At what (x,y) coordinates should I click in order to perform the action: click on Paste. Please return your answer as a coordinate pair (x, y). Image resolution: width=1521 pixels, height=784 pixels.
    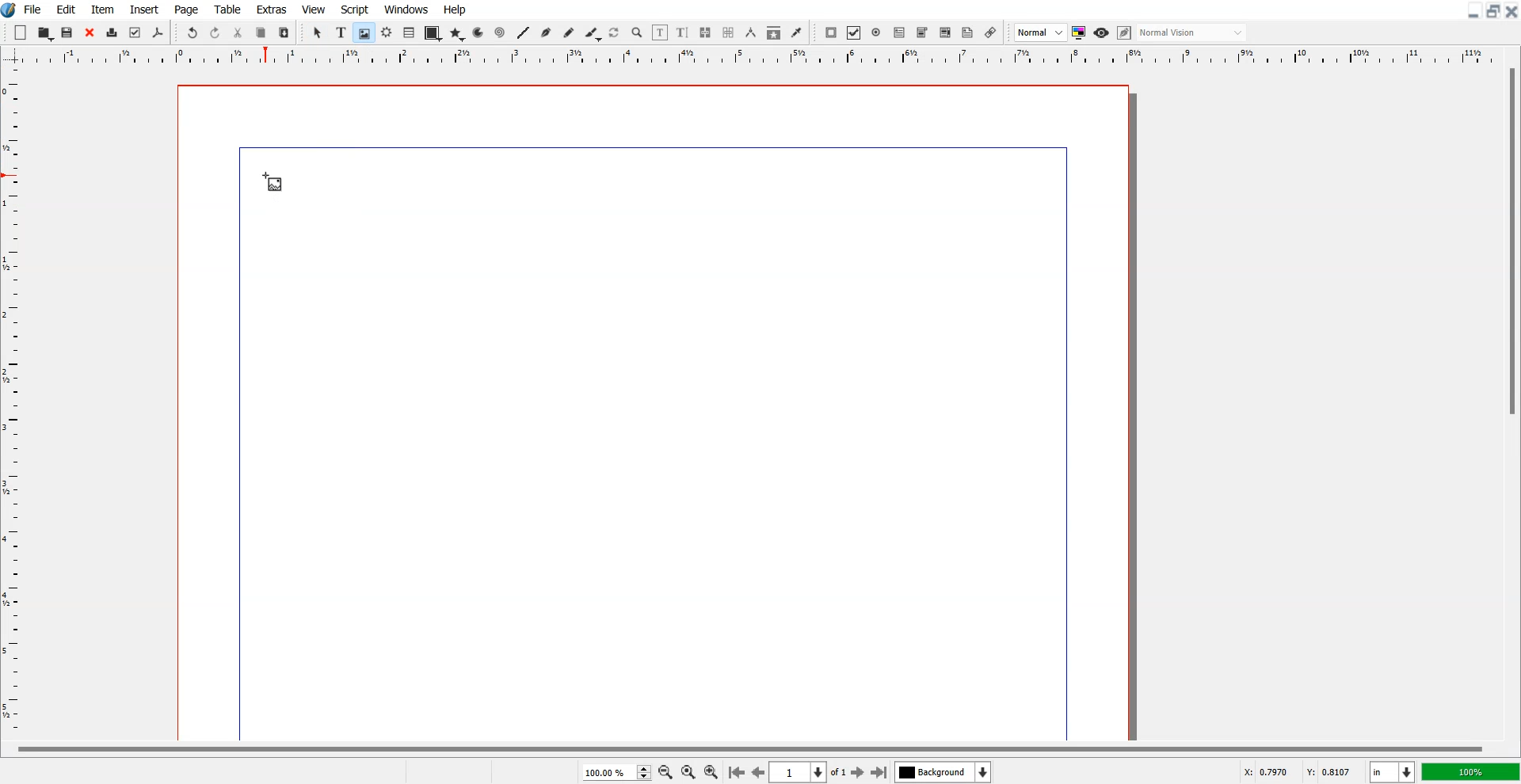
    Looking at the image, I should click on (284, 32).